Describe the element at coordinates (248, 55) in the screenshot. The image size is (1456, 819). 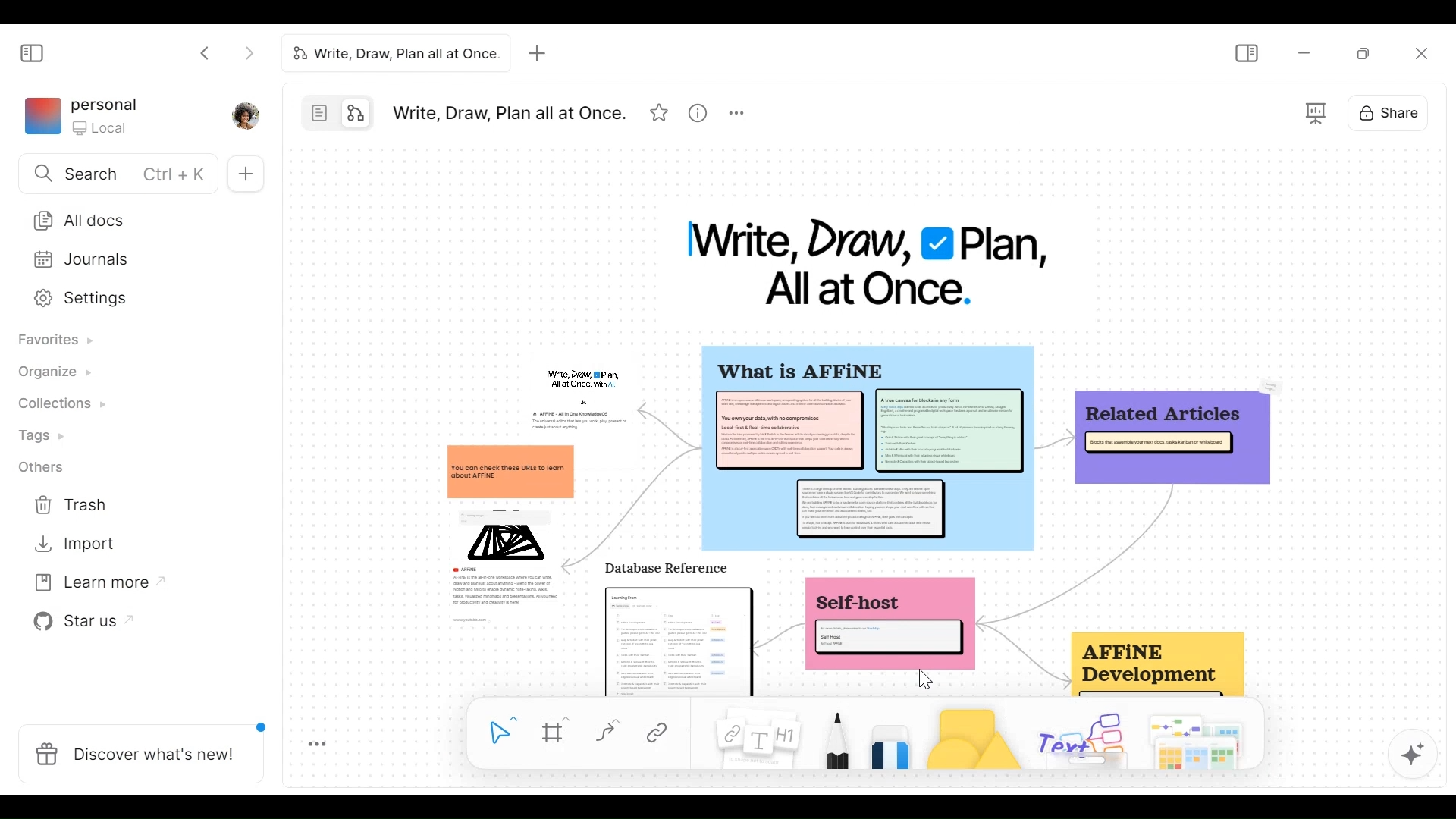
I see `Go forward` at that location.